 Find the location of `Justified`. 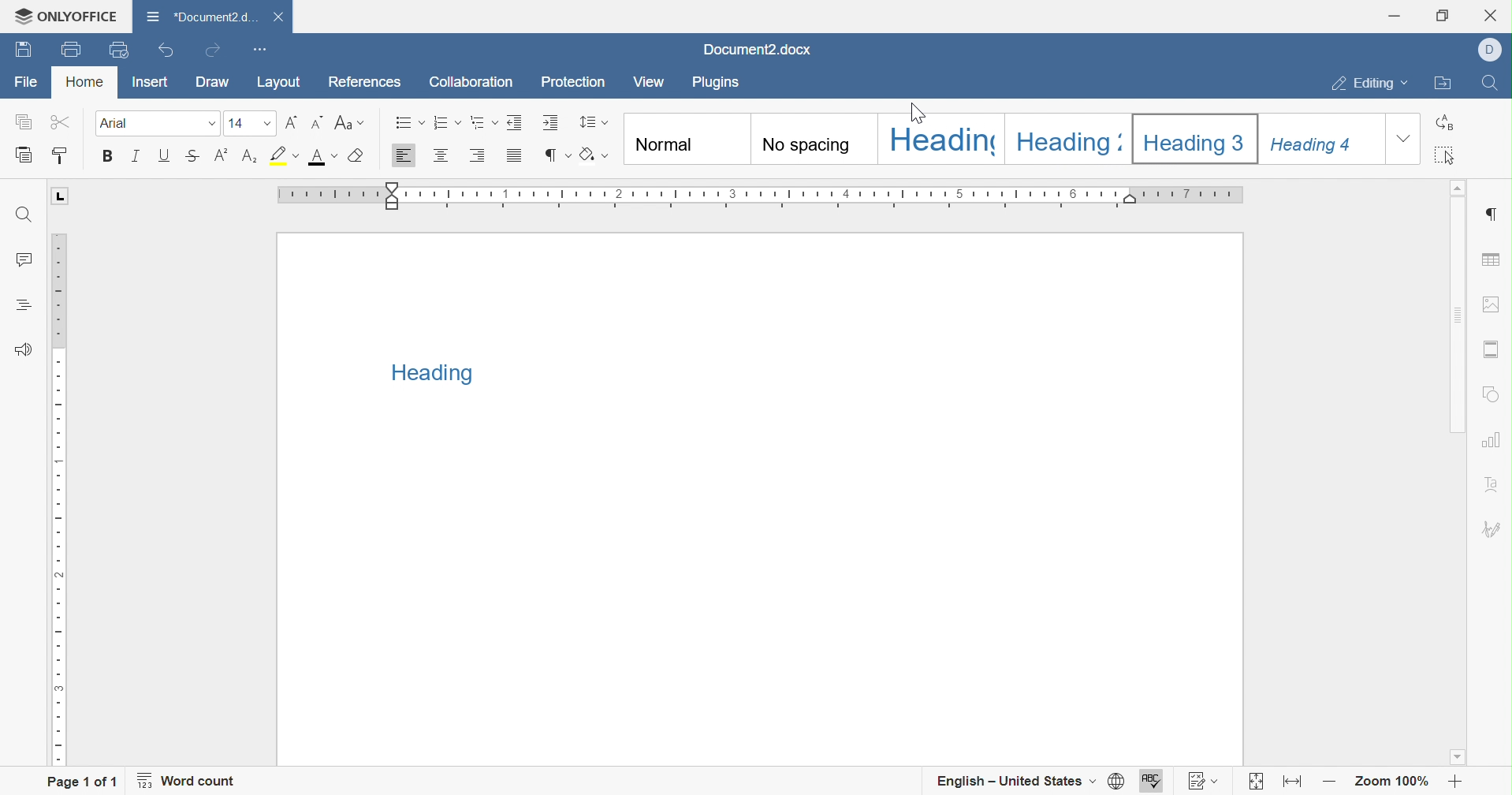

Justified is located at coordinates (516, 159).